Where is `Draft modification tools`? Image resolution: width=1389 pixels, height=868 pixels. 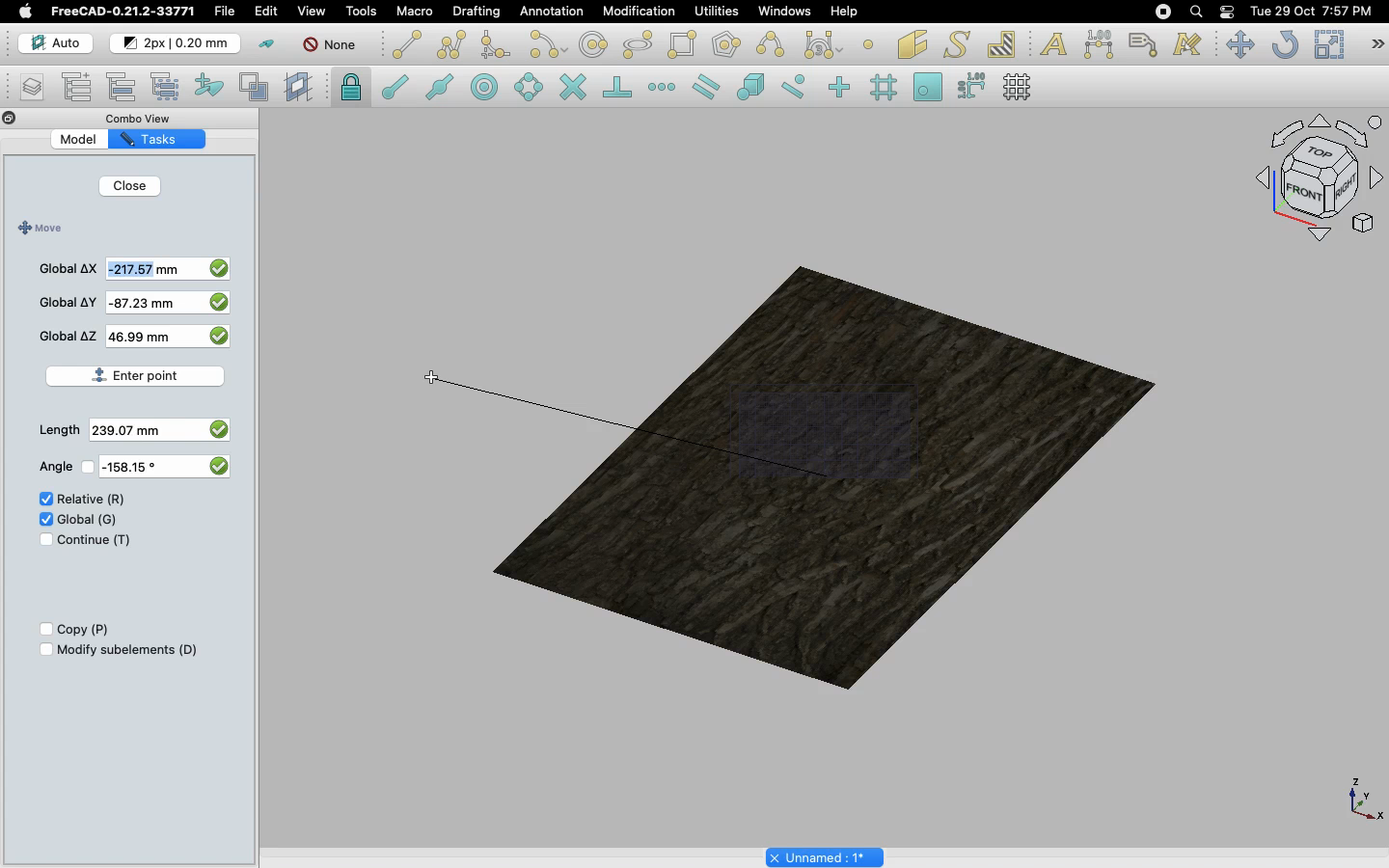
Draft modification tools is located at coordinates (1376, 46).